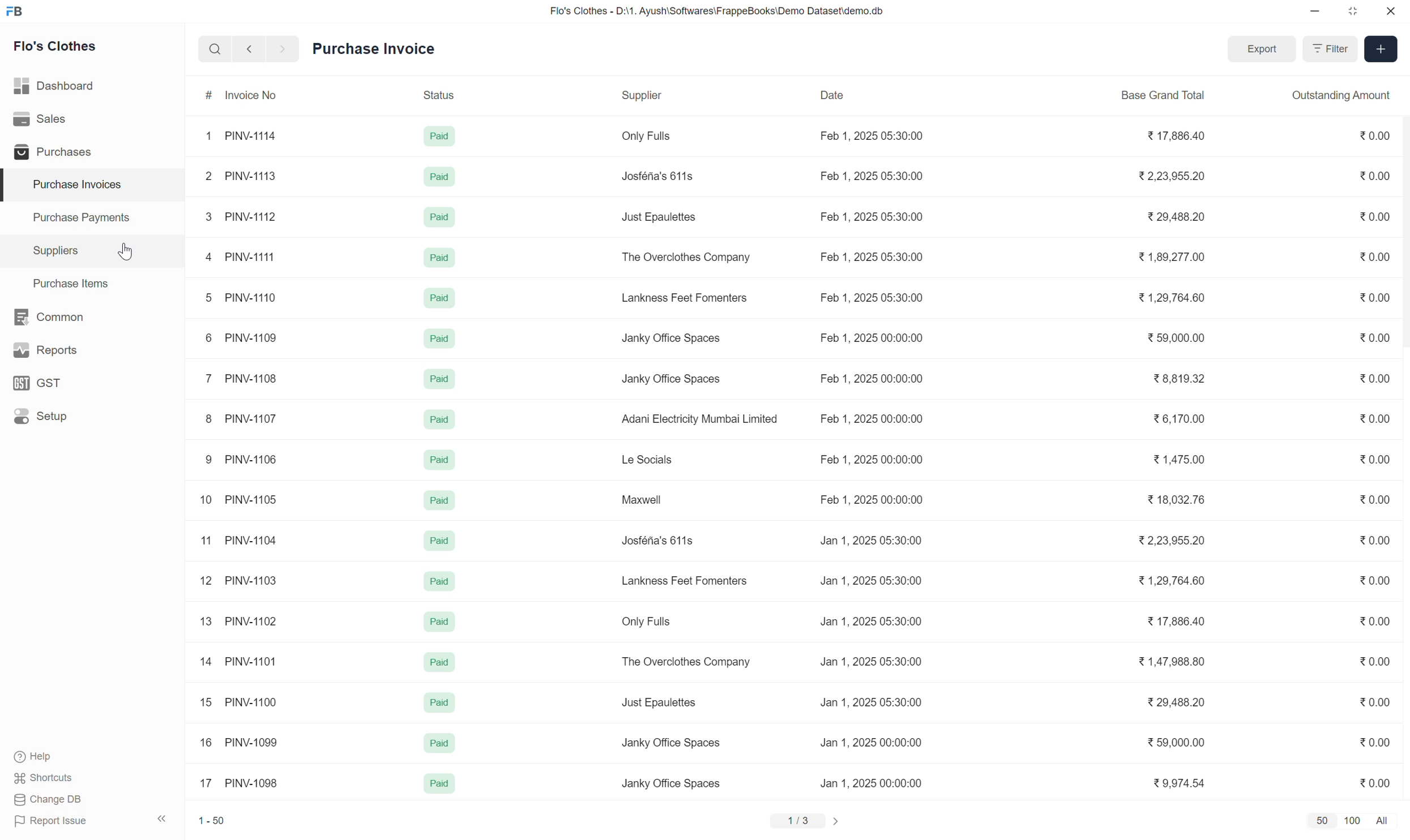 This screenshot has height=840, width=1410. Describe the element at coordinates (241, 217) in the screenshot. I see `3 PINV-1112` at that location.